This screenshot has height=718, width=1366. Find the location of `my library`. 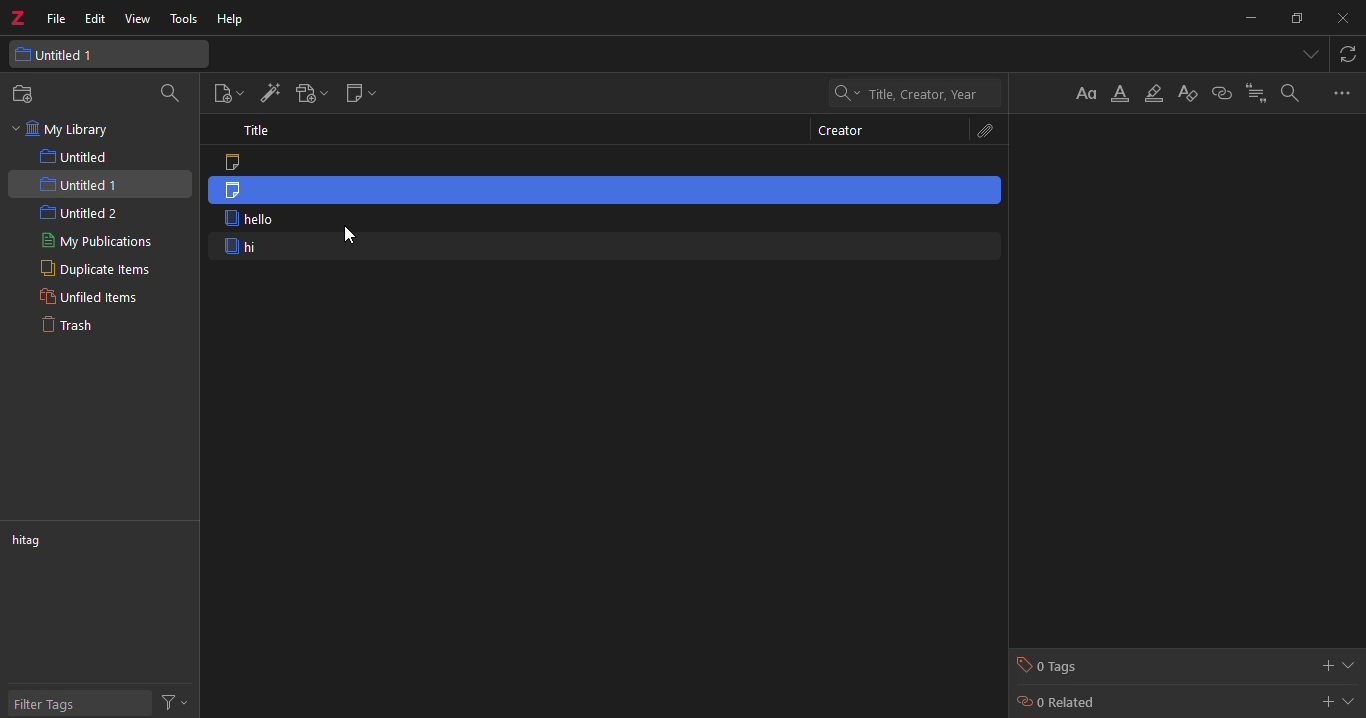

my library is located at coordinates (63, 129).